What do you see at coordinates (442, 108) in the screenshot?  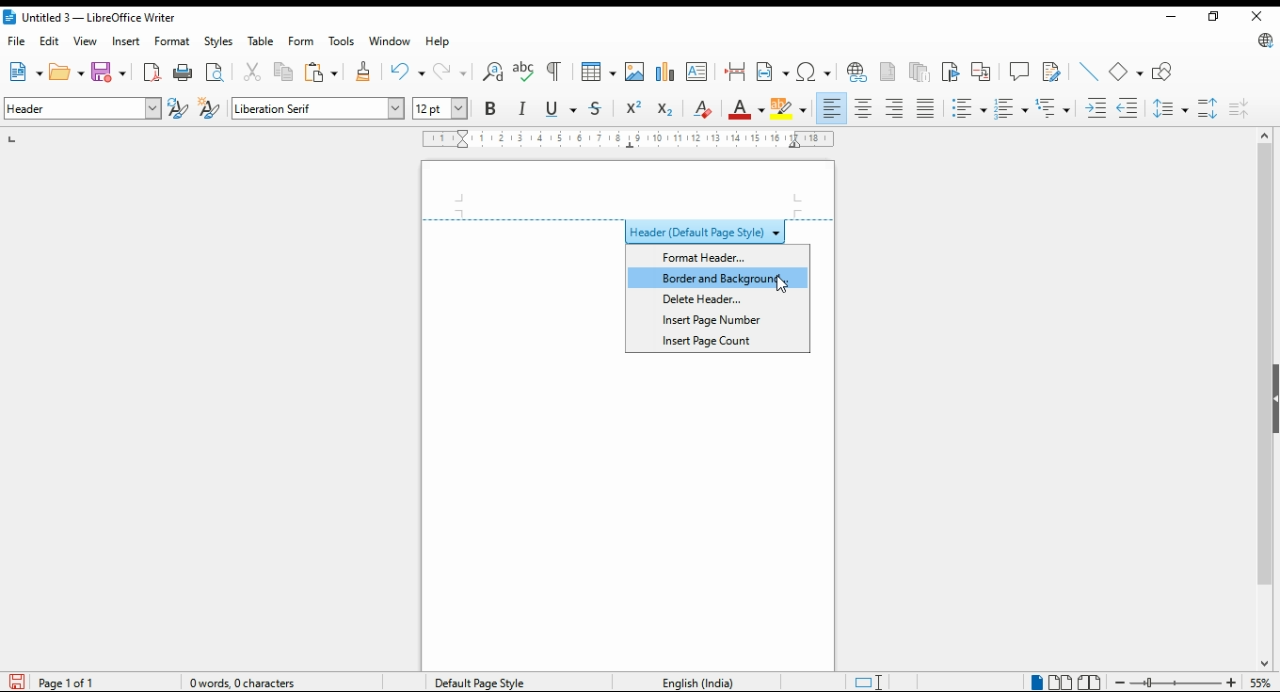 I see `font size` at bounding box center [442, 108].